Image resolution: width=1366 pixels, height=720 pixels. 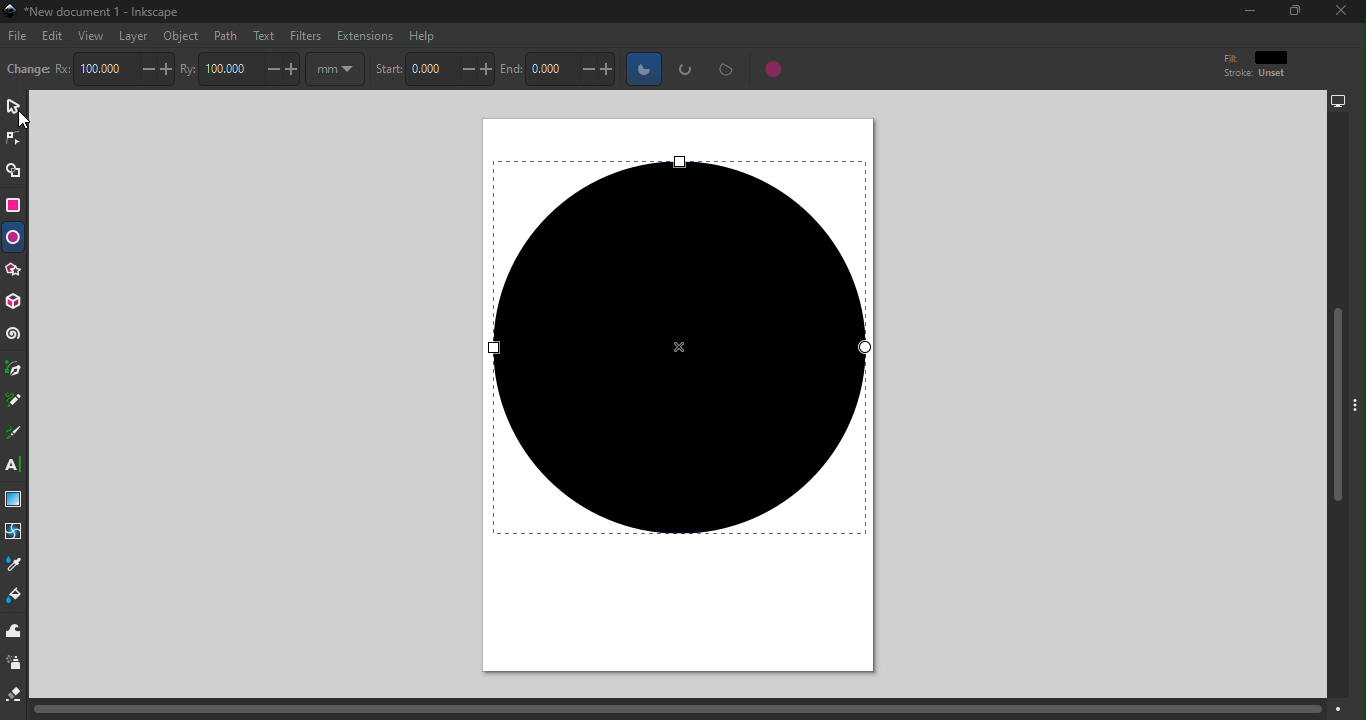 What do you see at coordinates (1335, 406) in the screenshot?
I see `Vertical scroll bar` at bounding box center [1335, 406].